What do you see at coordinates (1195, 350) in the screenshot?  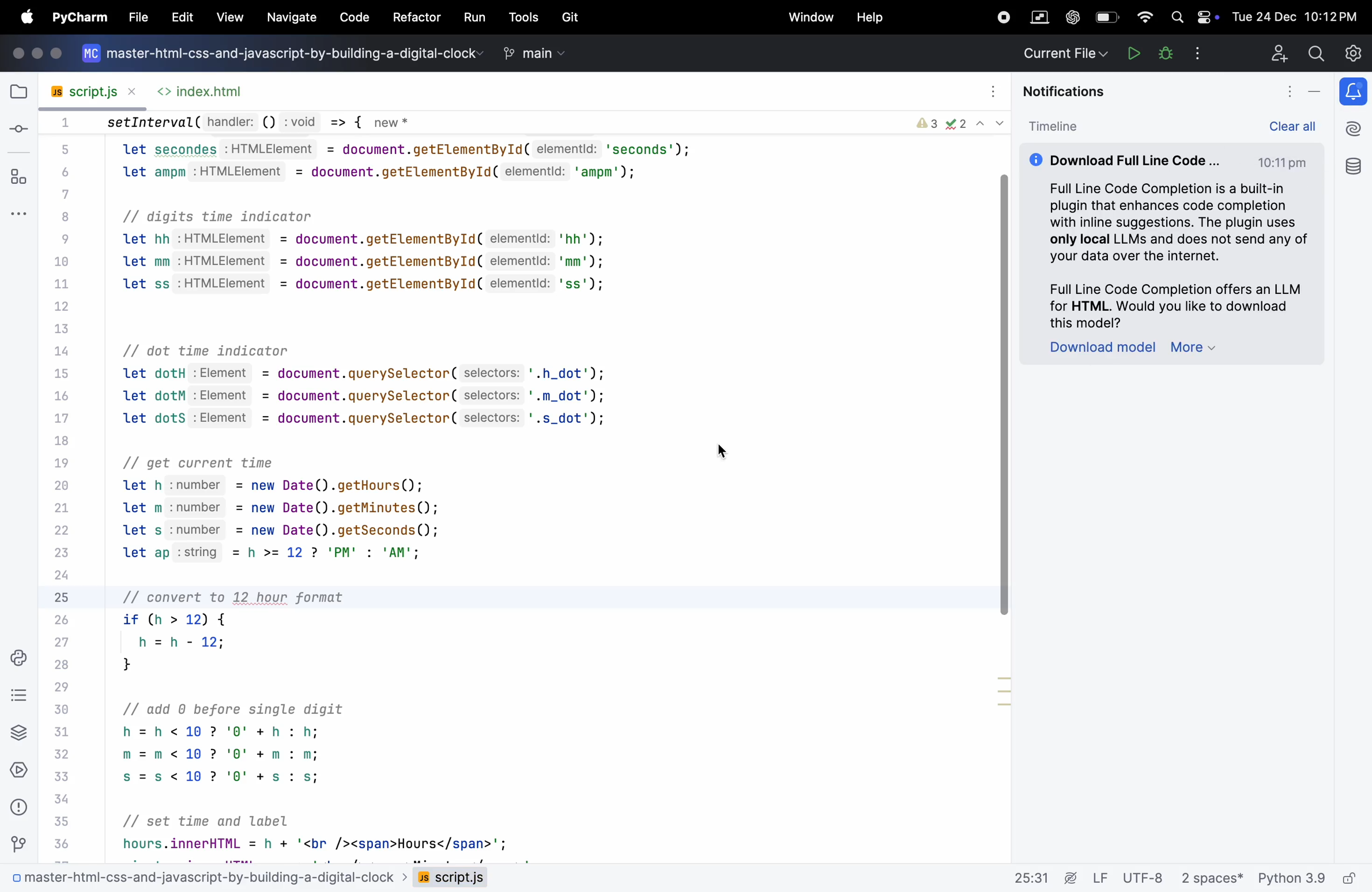 I see `more` at bounding box center [1195, 350].